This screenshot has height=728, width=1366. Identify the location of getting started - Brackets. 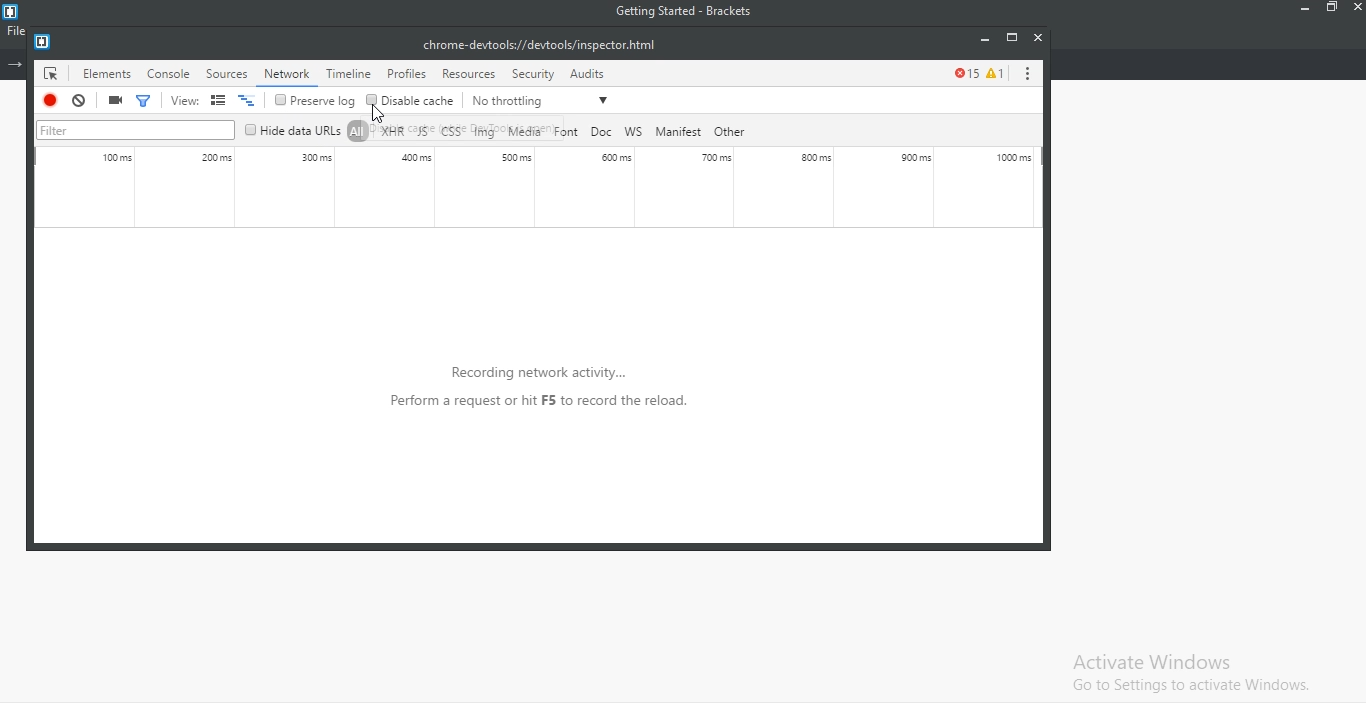
(693, 13).